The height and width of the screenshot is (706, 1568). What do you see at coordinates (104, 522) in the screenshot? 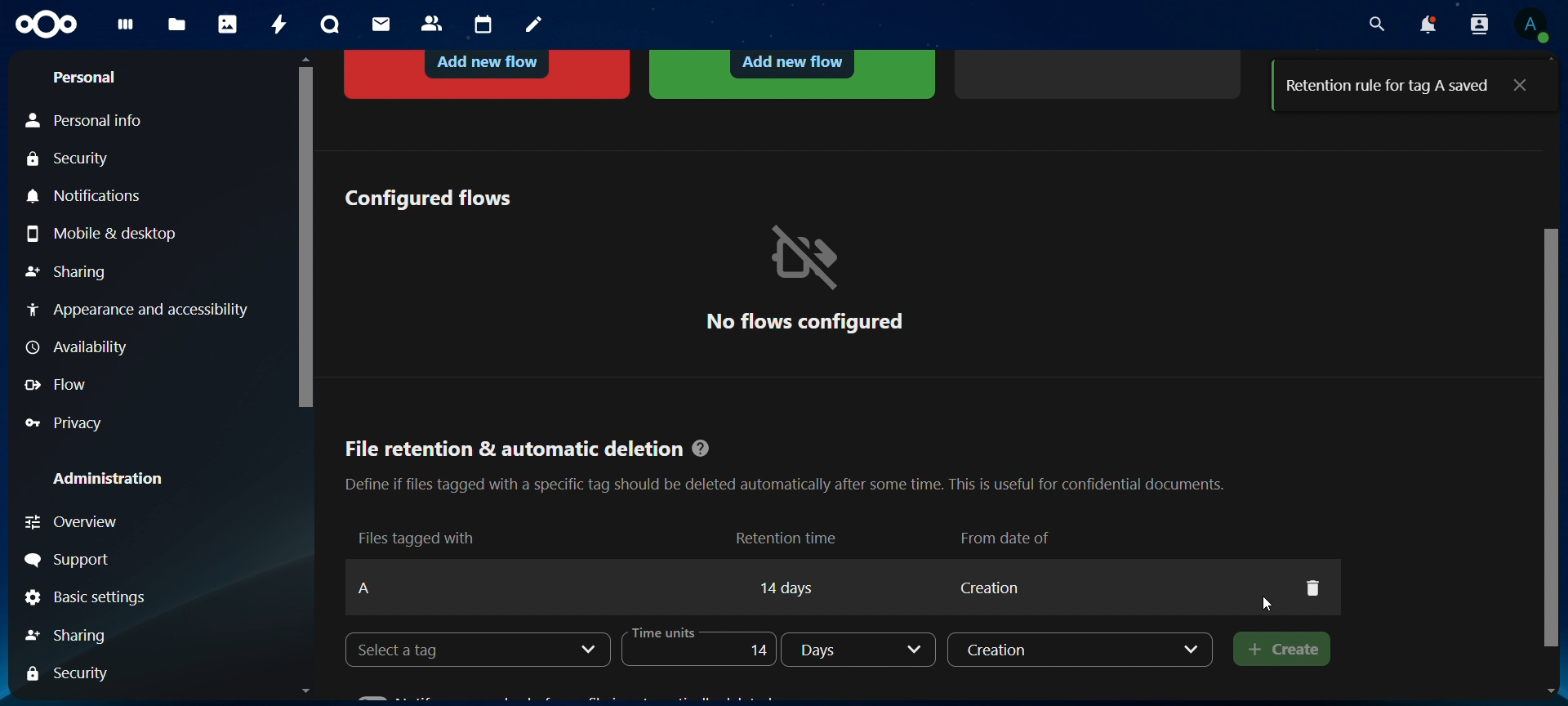
I see `overview` at bounding box center [104, 522].